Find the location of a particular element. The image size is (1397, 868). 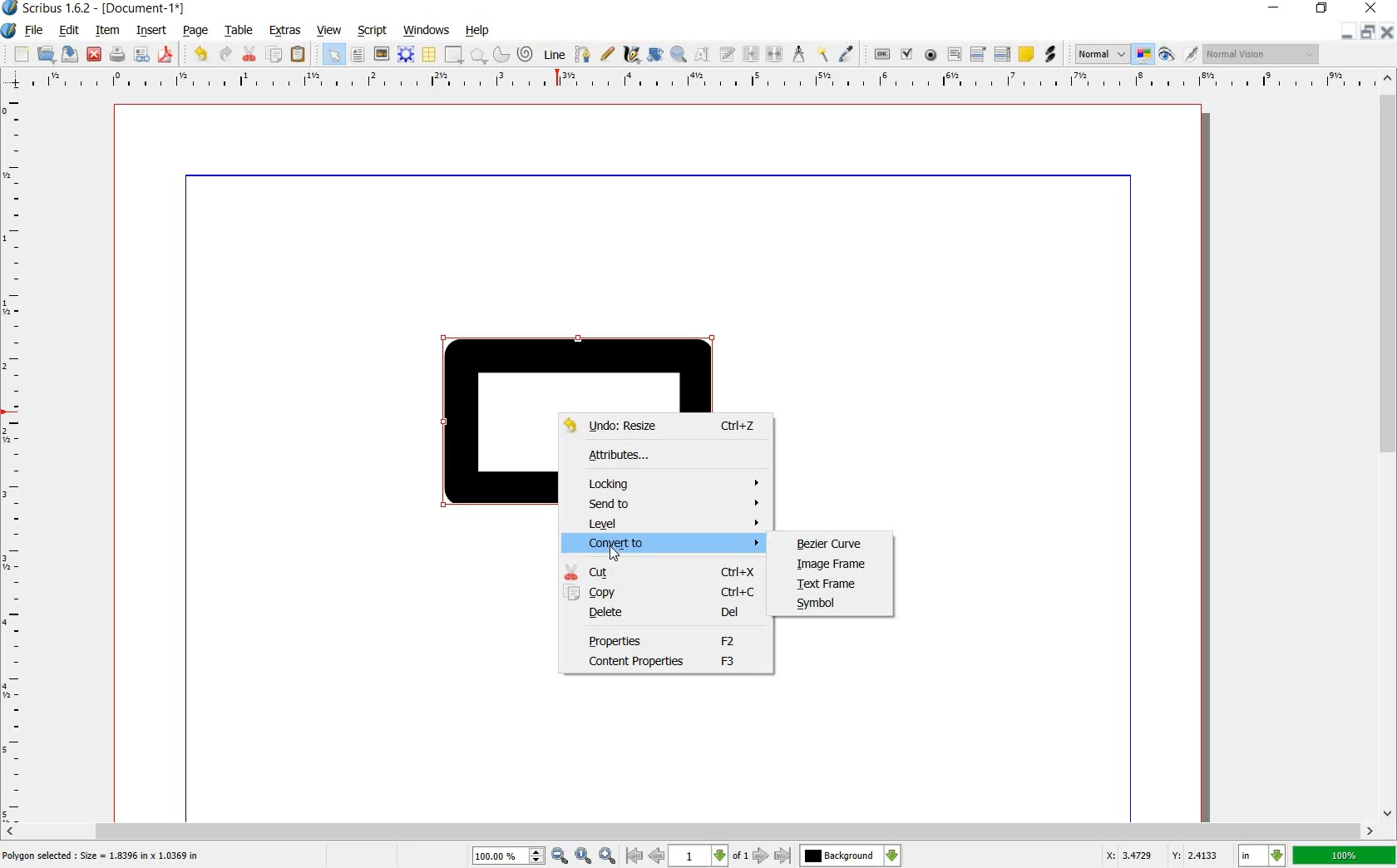

BEZIER CURVE is located at coordinates (833, 543).